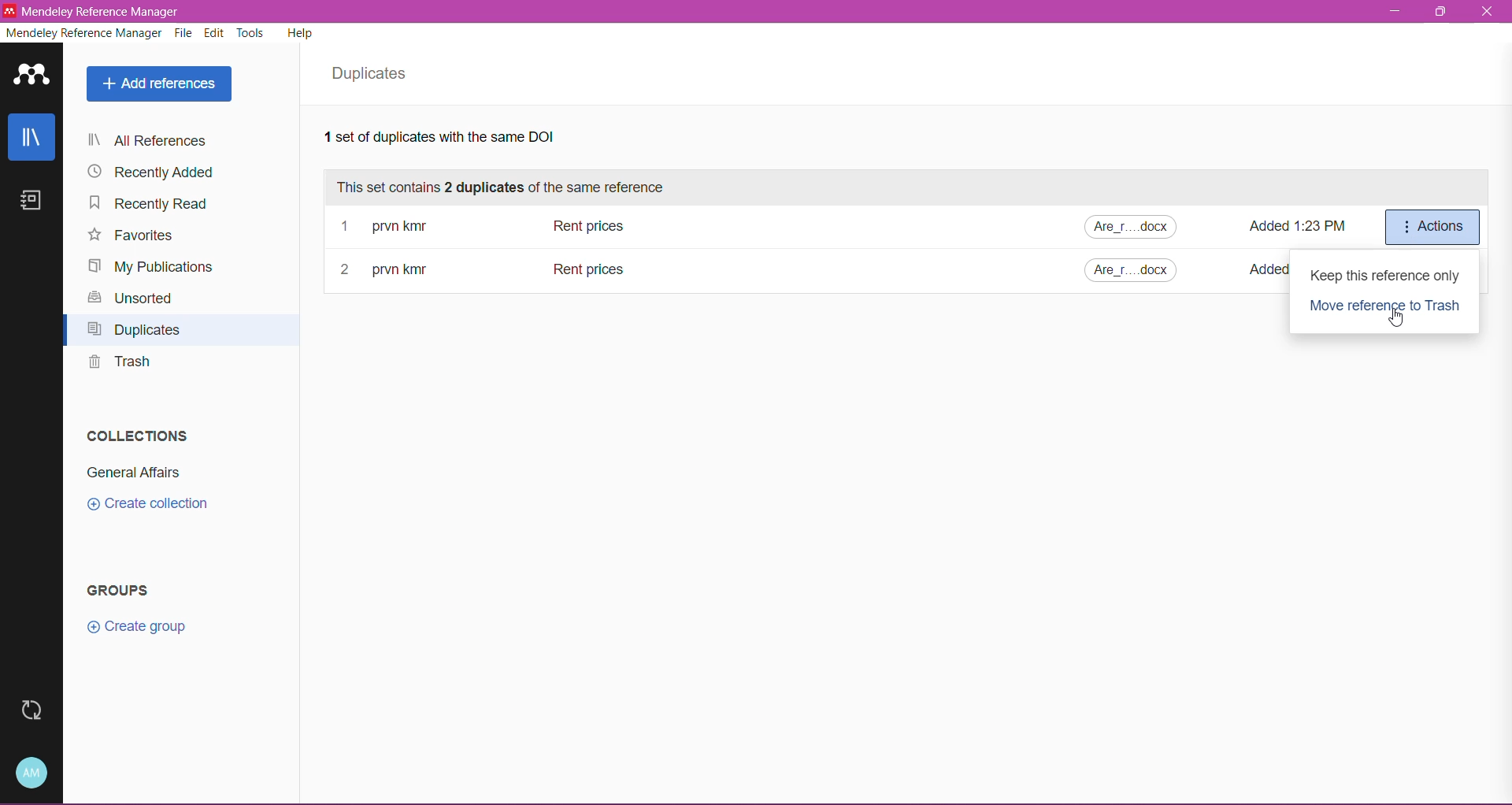 This screenshot has width=1512, height=805. What do you see at coordinates (302, 35) in the screenshot?
I see `Help` at bounding box center [302, 35].